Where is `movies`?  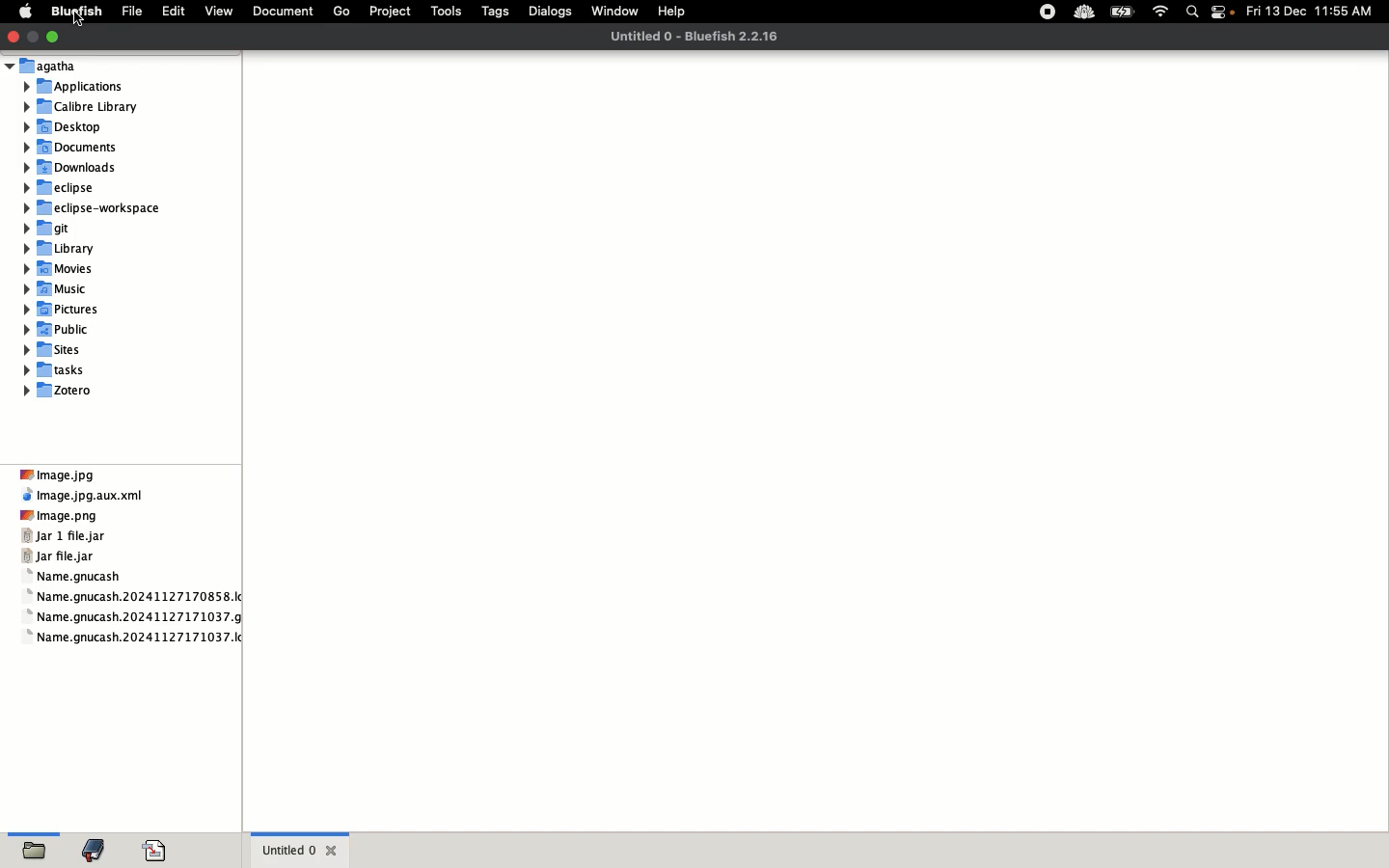 movies is located at coordinates (62, 269).